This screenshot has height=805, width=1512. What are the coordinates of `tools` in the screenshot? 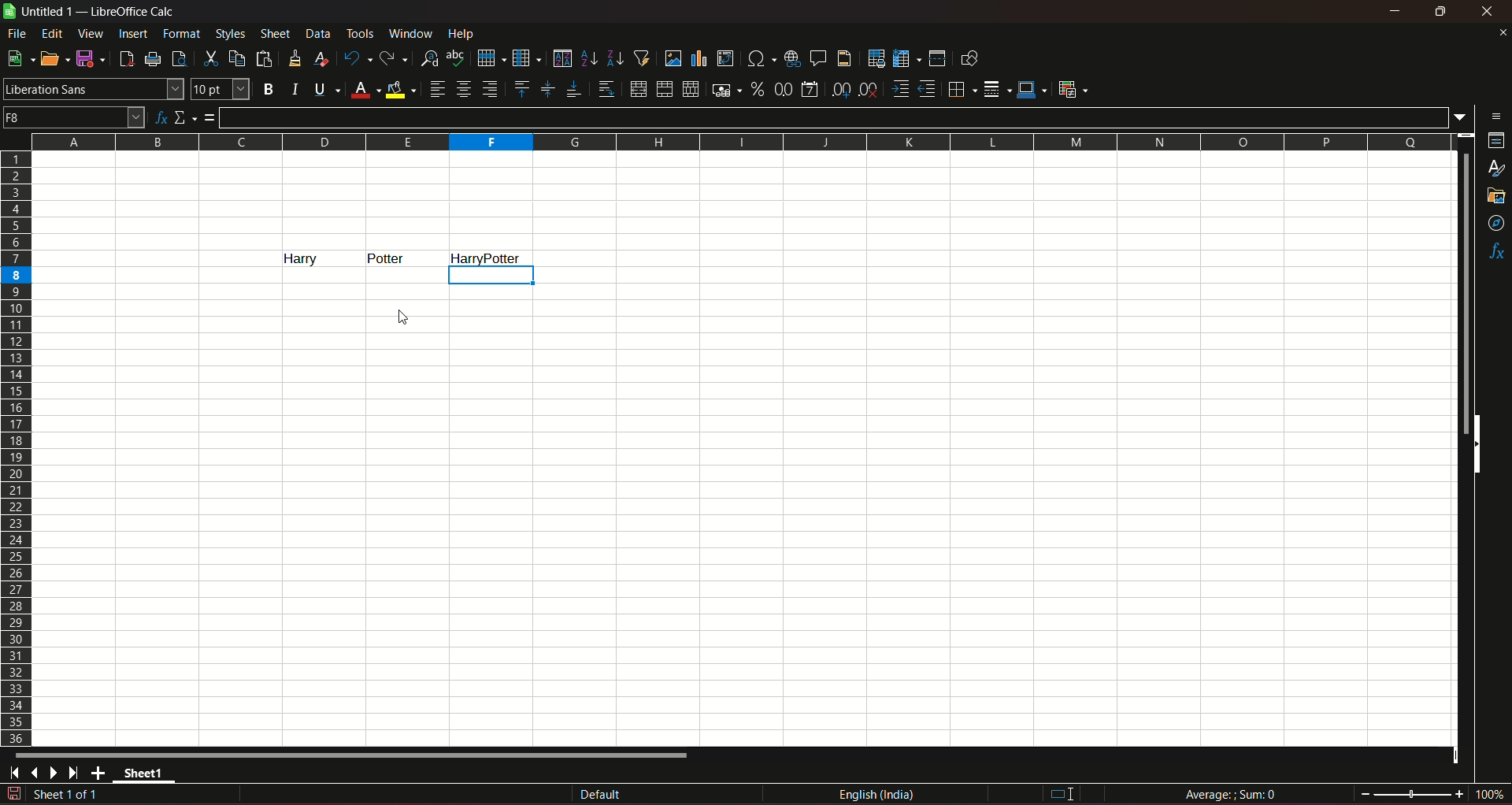 It's located at (361, 33).